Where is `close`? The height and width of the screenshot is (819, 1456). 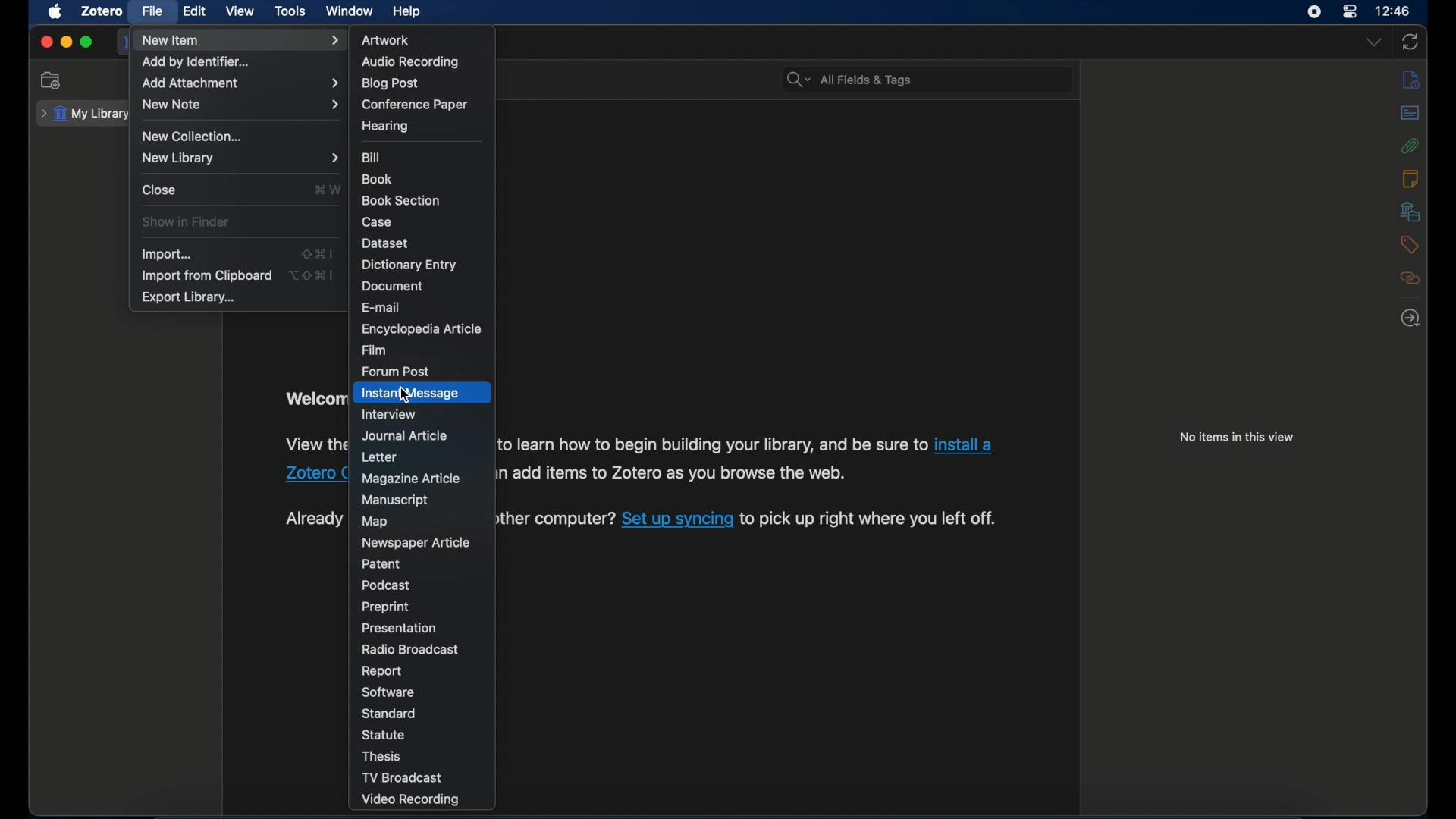 close is located at coordinates (159, 189).